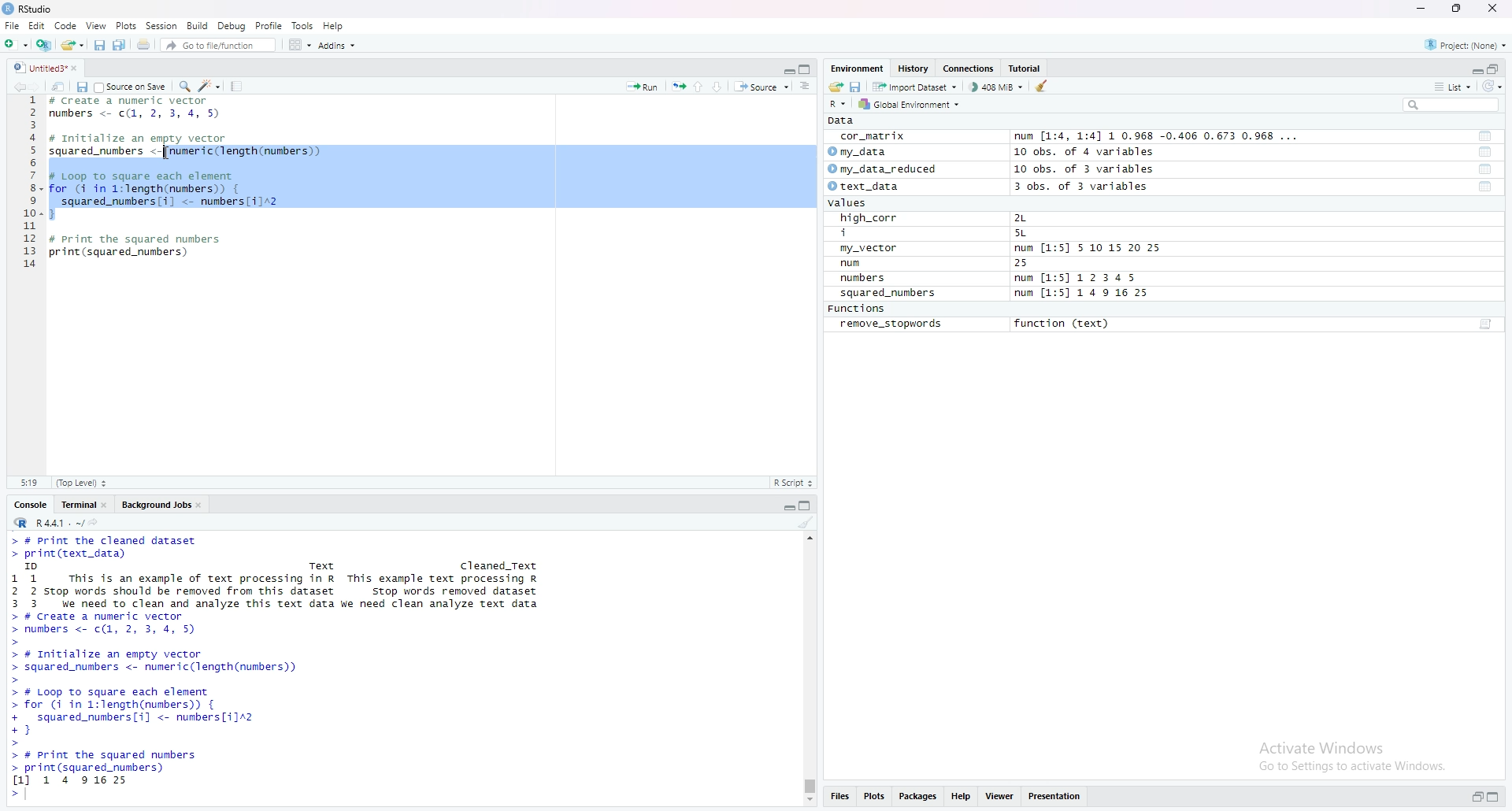  Describe the element at coordinates (678, 85) in the screenshot. I see `re-run previous code region` at that location.